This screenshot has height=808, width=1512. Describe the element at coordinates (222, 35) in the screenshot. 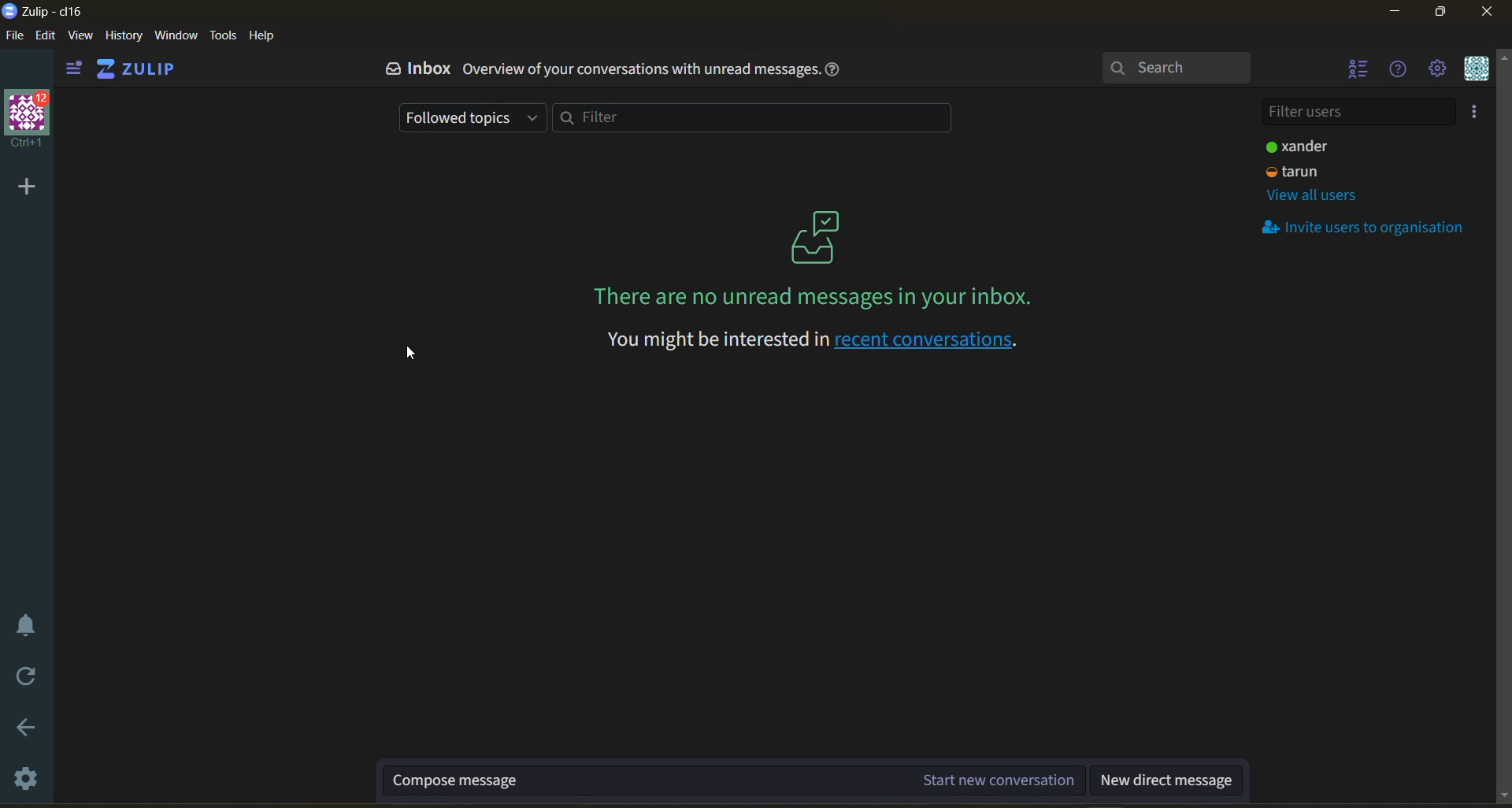

I see `tools` at that location.